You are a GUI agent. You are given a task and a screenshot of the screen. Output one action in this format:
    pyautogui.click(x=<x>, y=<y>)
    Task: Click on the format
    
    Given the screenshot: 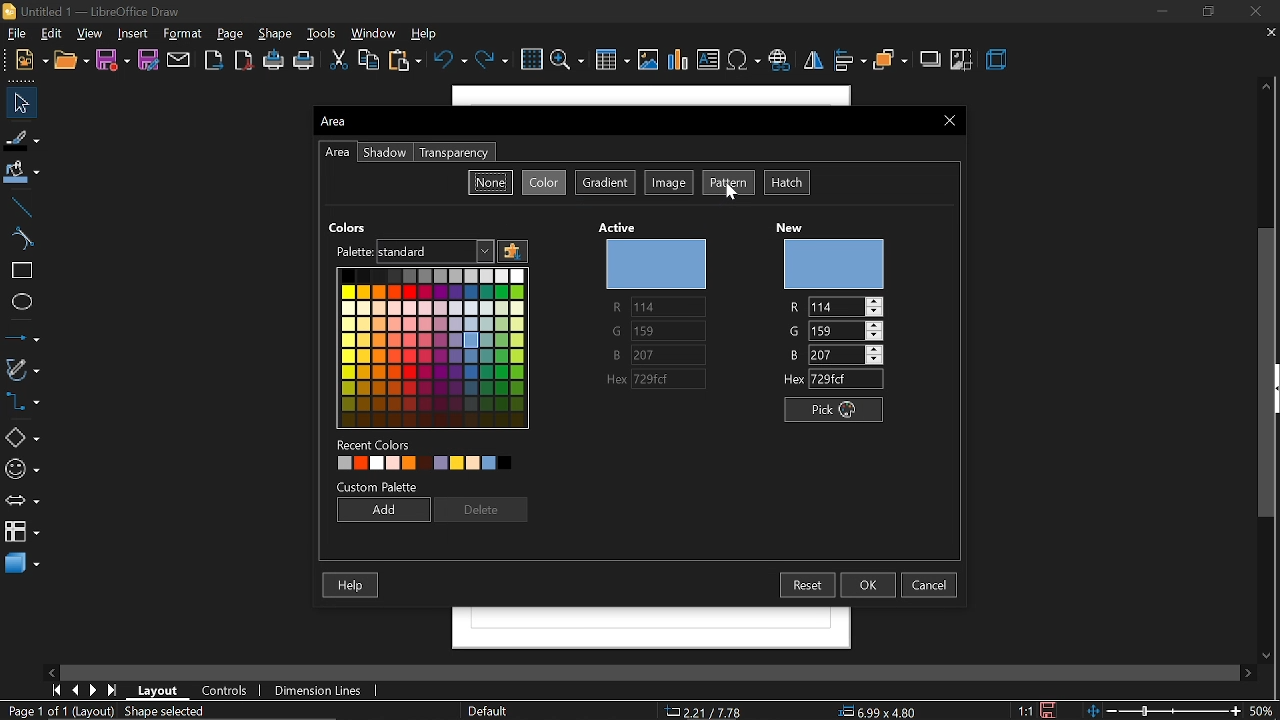 What is the action you would take?
    pyautogui.click(x=186, y=33)
    